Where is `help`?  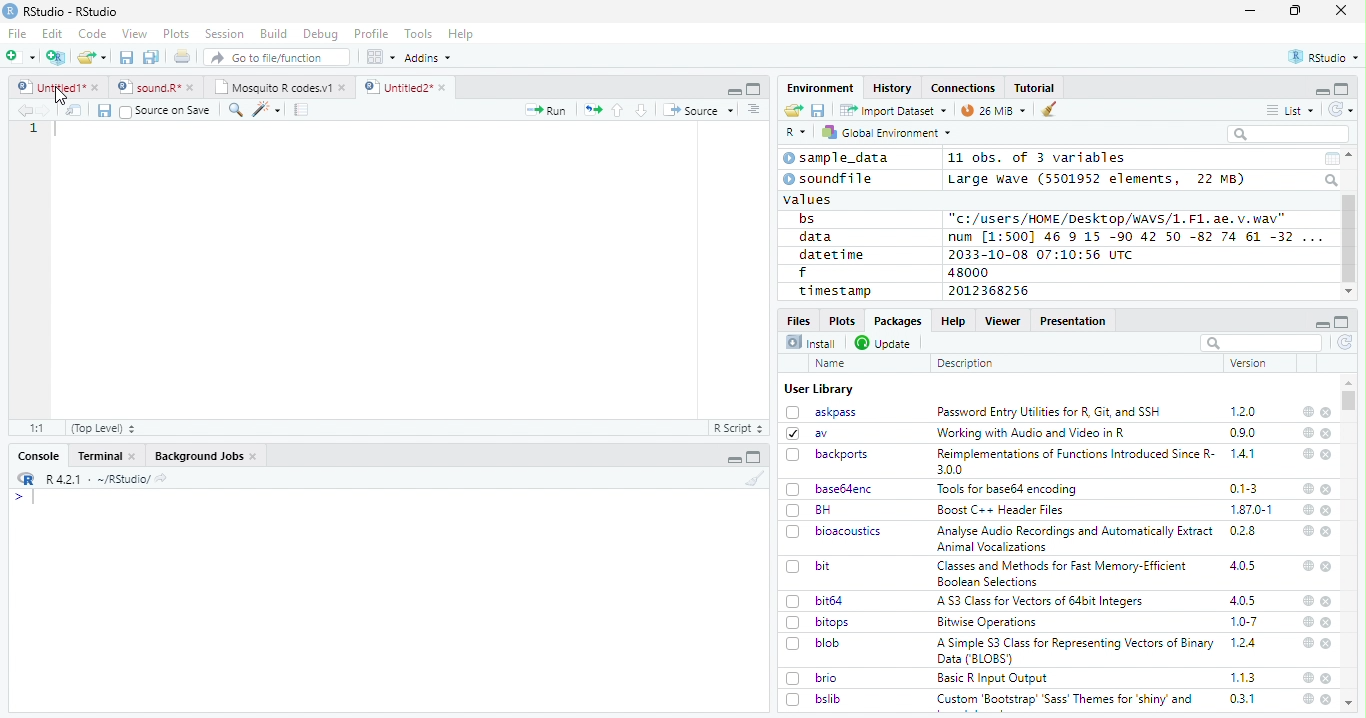
help is located at coordinates (1308, 432).